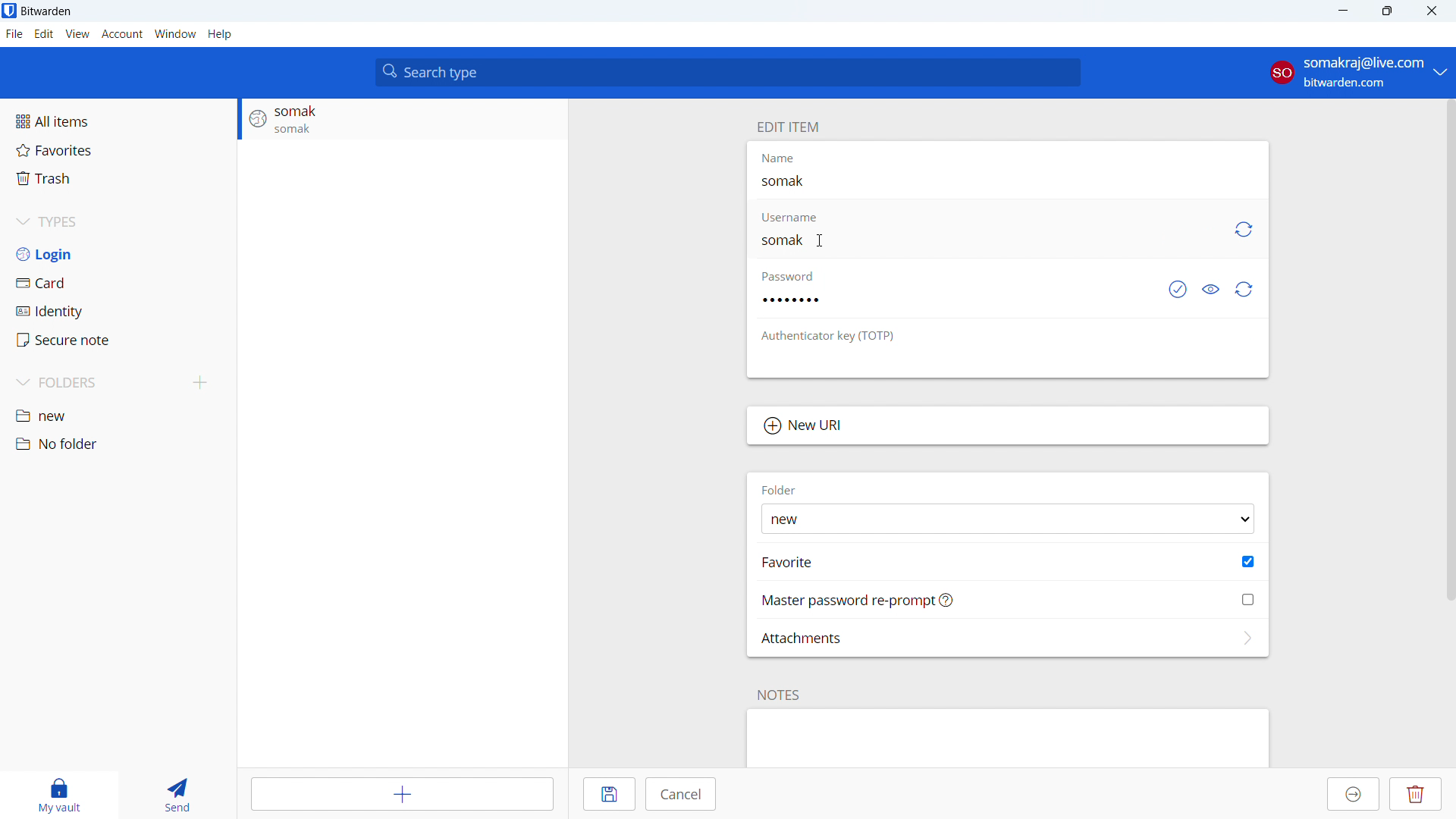 Image resolution: width=1456 pixels, height=819 pixels. Describe the element at coordinates (1356, 71) in the screenshot. I see `account` at that location.